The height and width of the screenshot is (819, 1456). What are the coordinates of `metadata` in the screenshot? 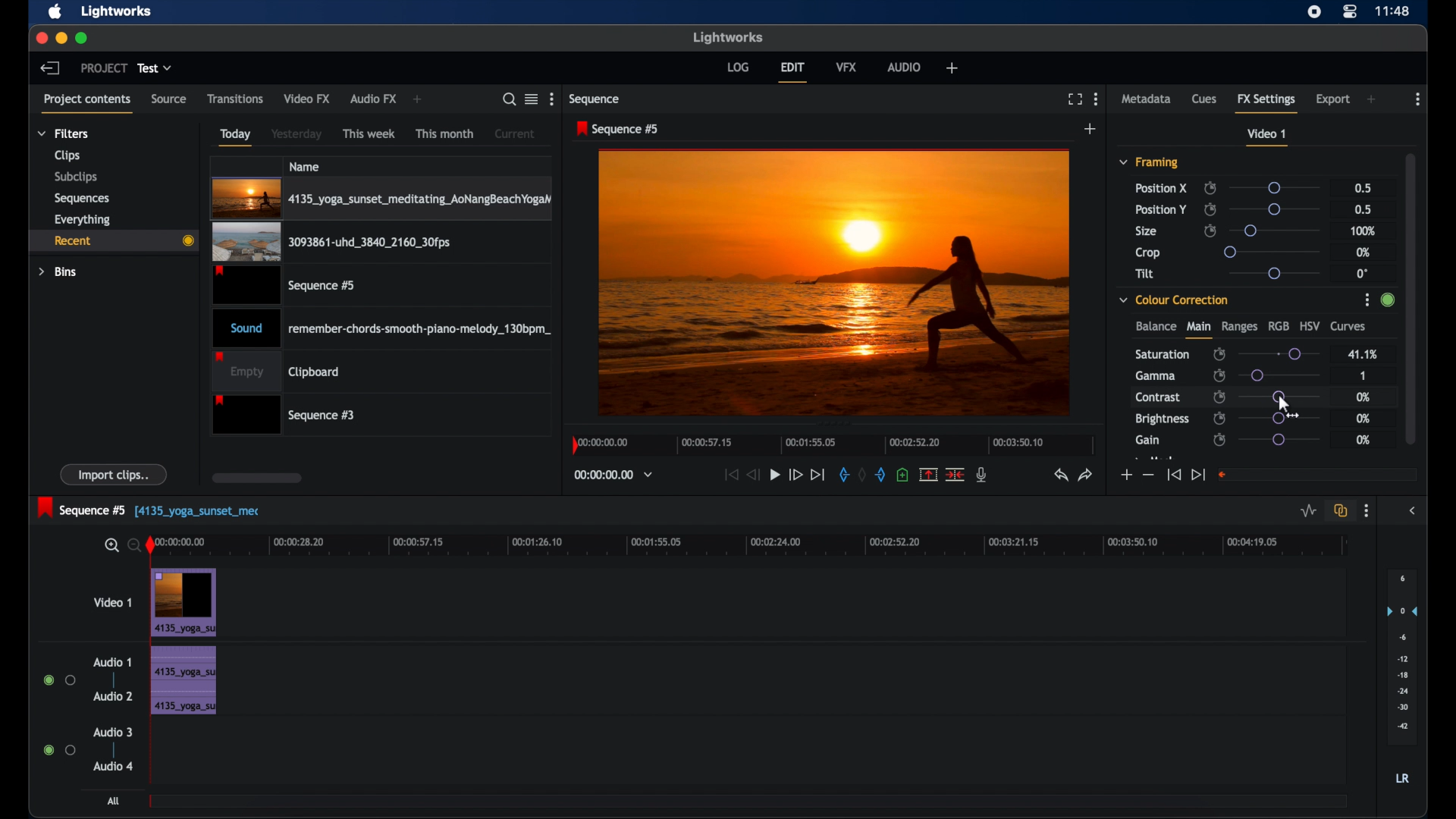 It's located at (1147, 99).